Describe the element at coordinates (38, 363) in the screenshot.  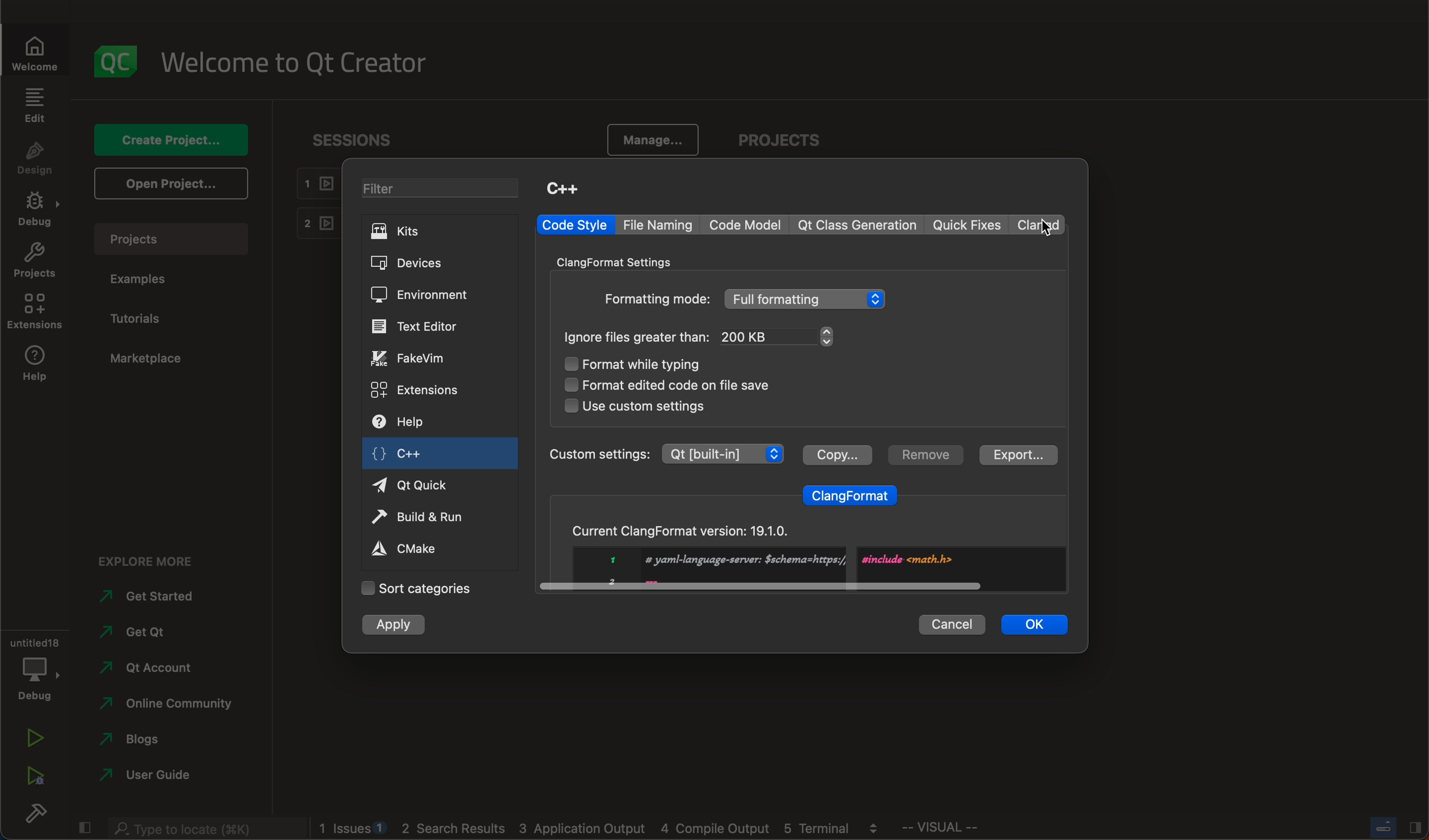
I see `help` at that location.